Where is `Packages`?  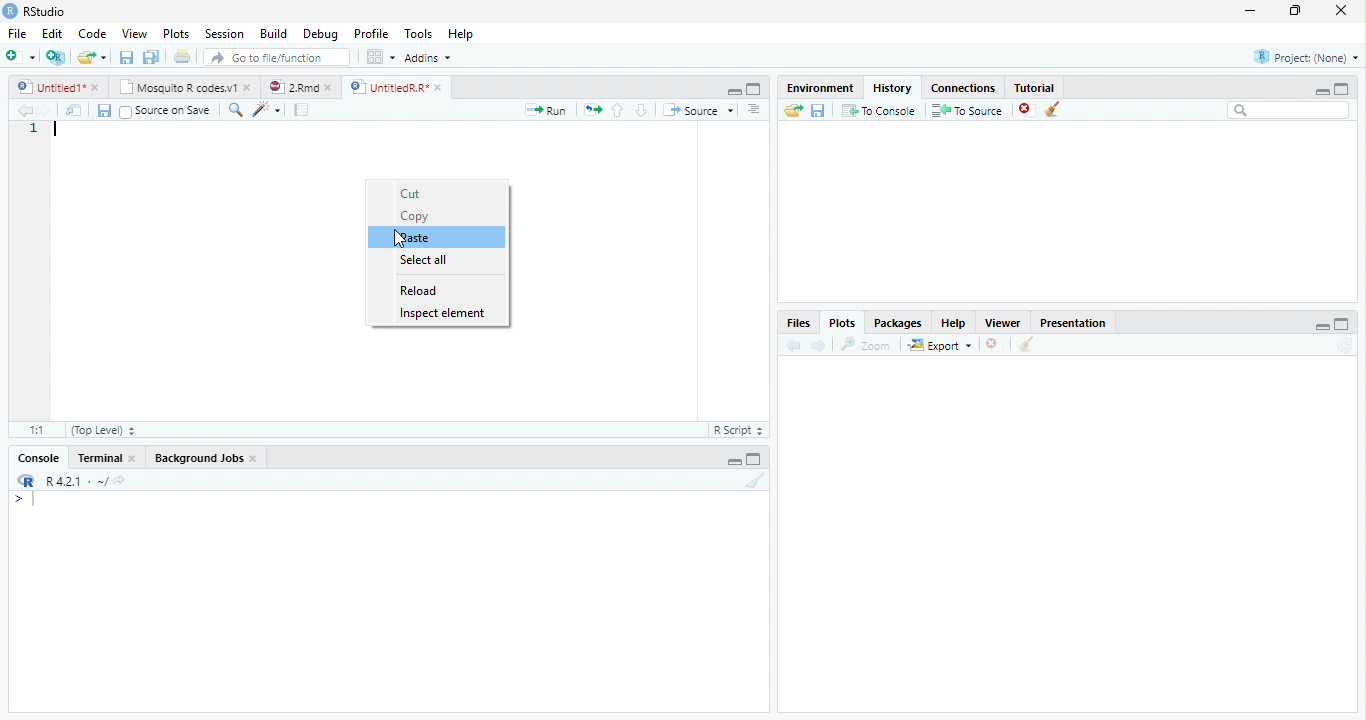
Packages is located at coordinates (897, 325).